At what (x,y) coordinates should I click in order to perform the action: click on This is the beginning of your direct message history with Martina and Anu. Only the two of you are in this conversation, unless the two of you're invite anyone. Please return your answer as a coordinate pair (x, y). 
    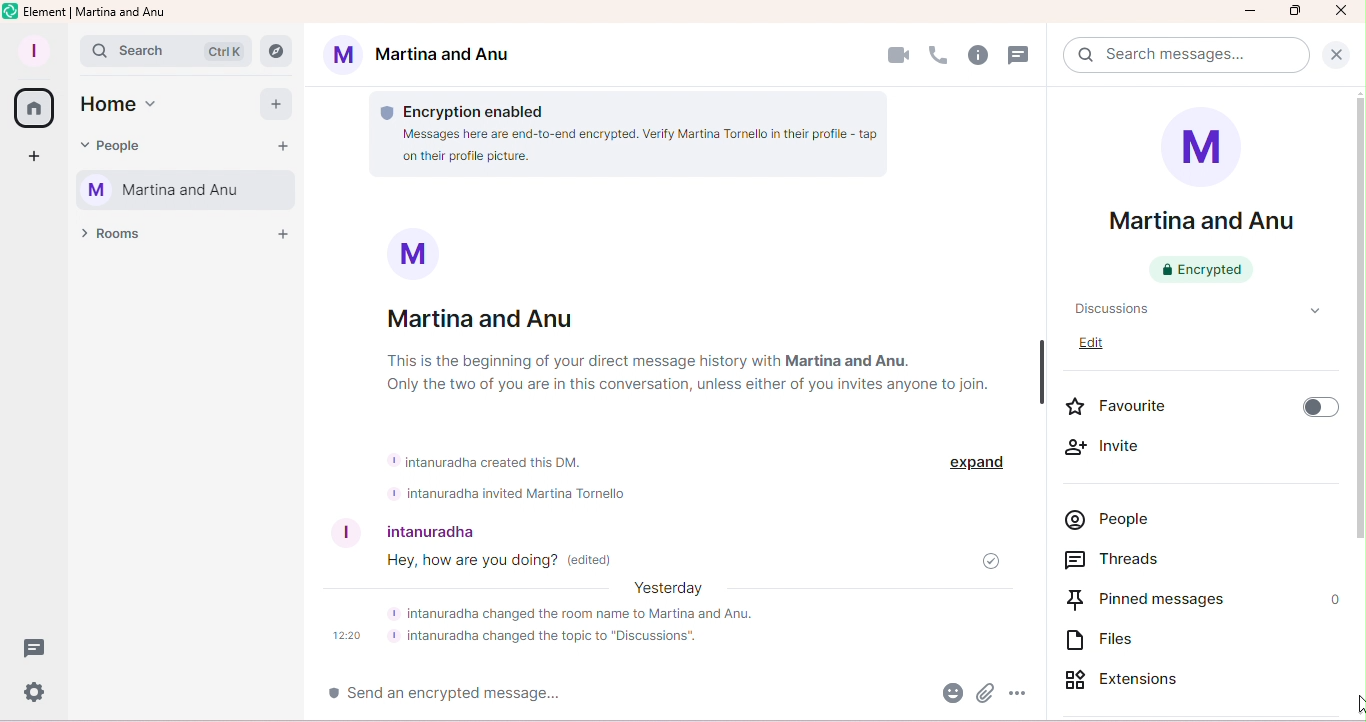
    Looking at the image, I should click on (714, 372).